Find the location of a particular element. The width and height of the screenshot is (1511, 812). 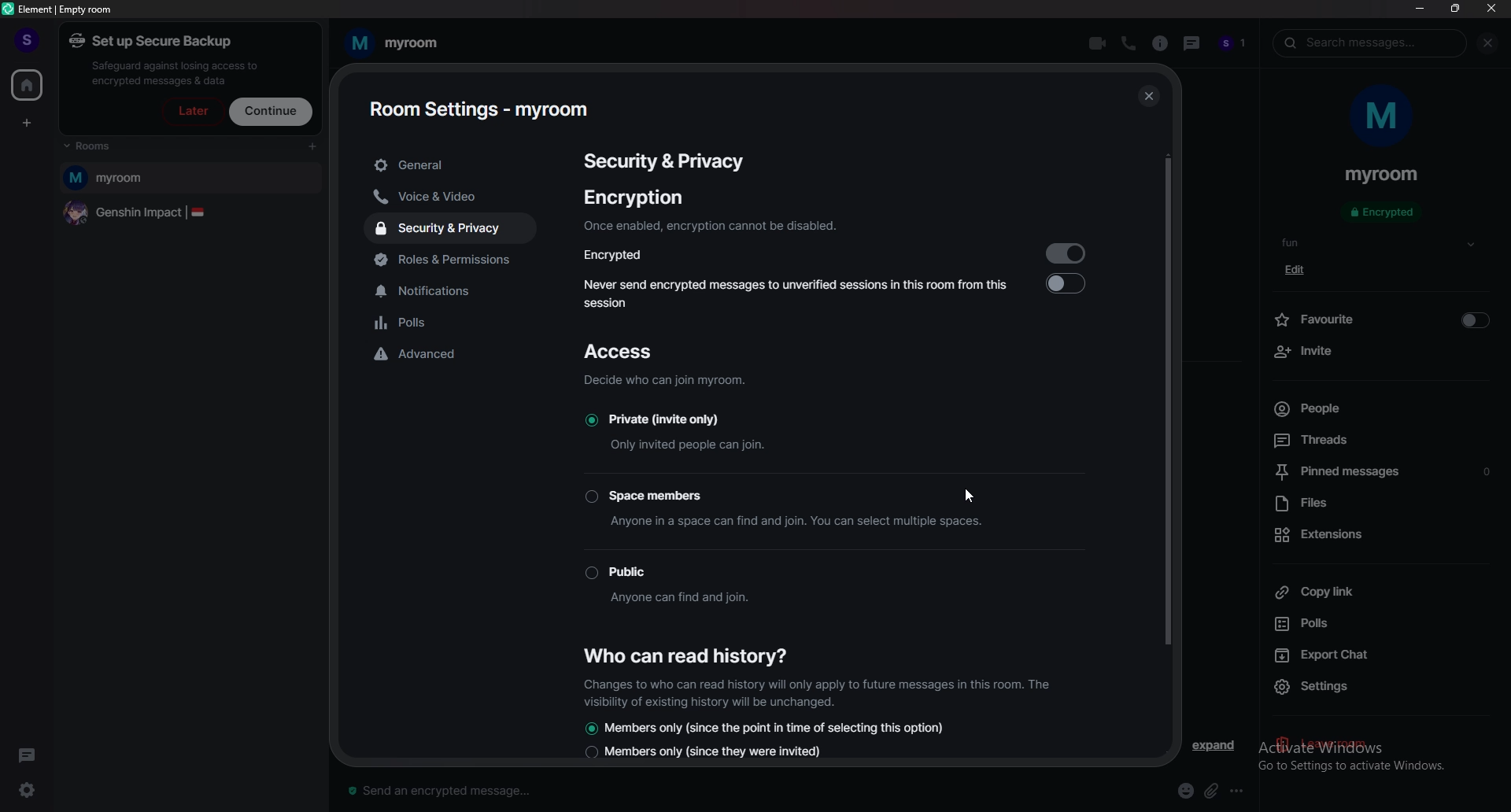

extensions is located at coordinates (1380, 537).